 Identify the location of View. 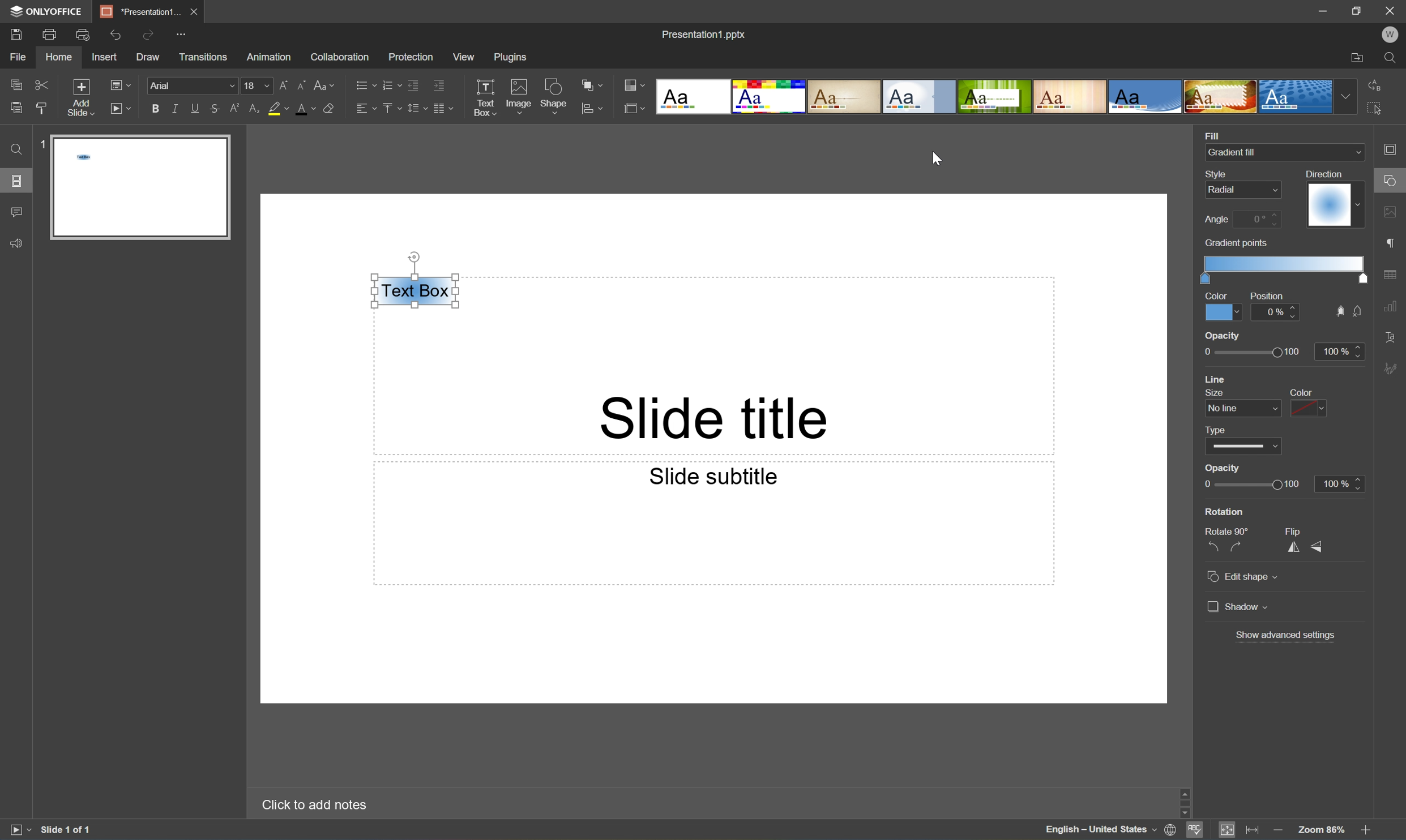
(462, 57).